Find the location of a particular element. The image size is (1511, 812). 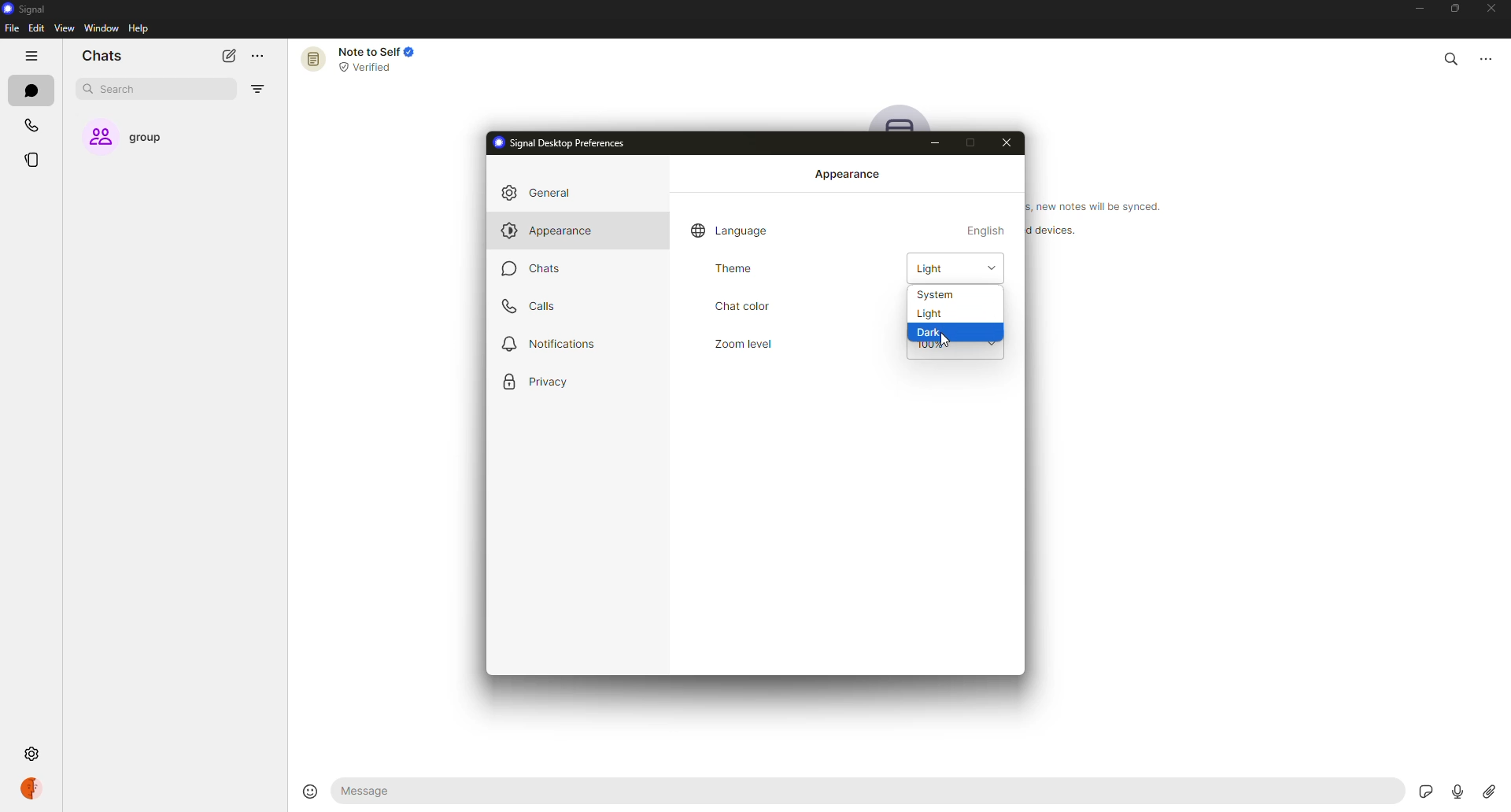

dark is located at coordinates (932, 333).